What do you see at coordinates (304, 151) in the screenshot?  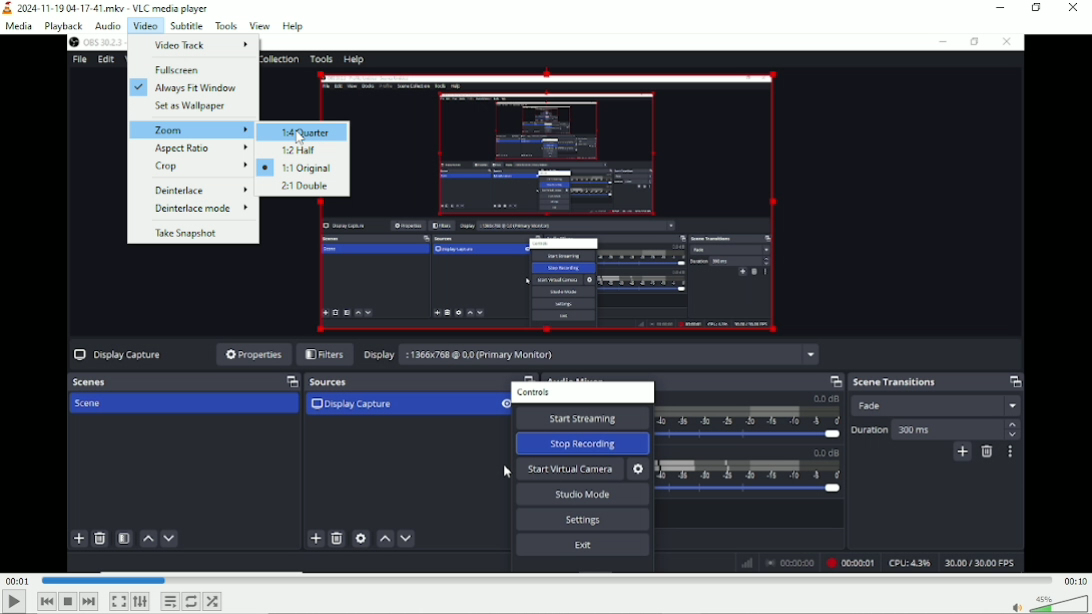 I see `half` at bounding box center [304, 151].